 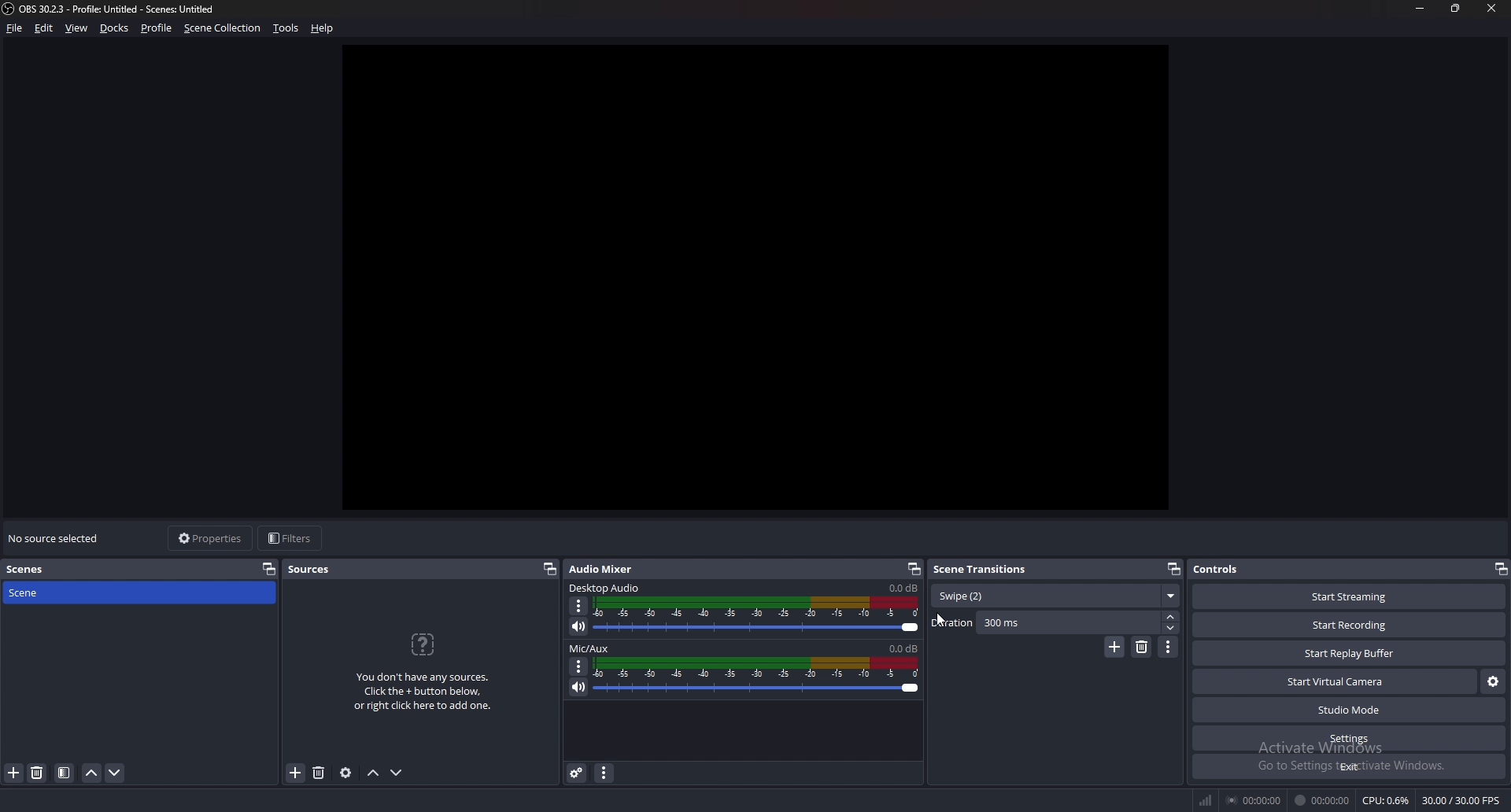 I want to click on scene transitions, so click(x=982, y=570).